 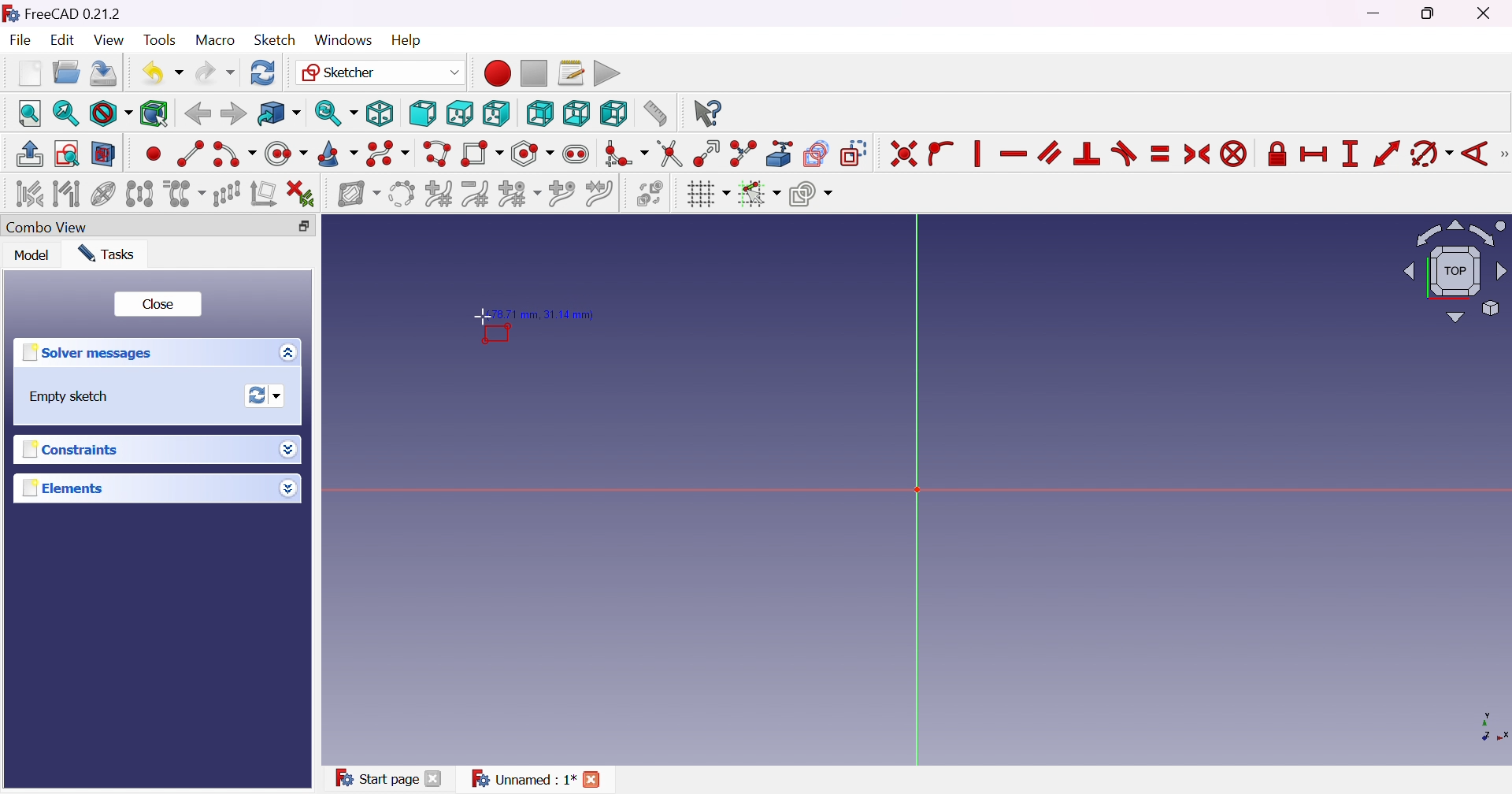 I want to click on Tasks, so click(x=112, y=254).